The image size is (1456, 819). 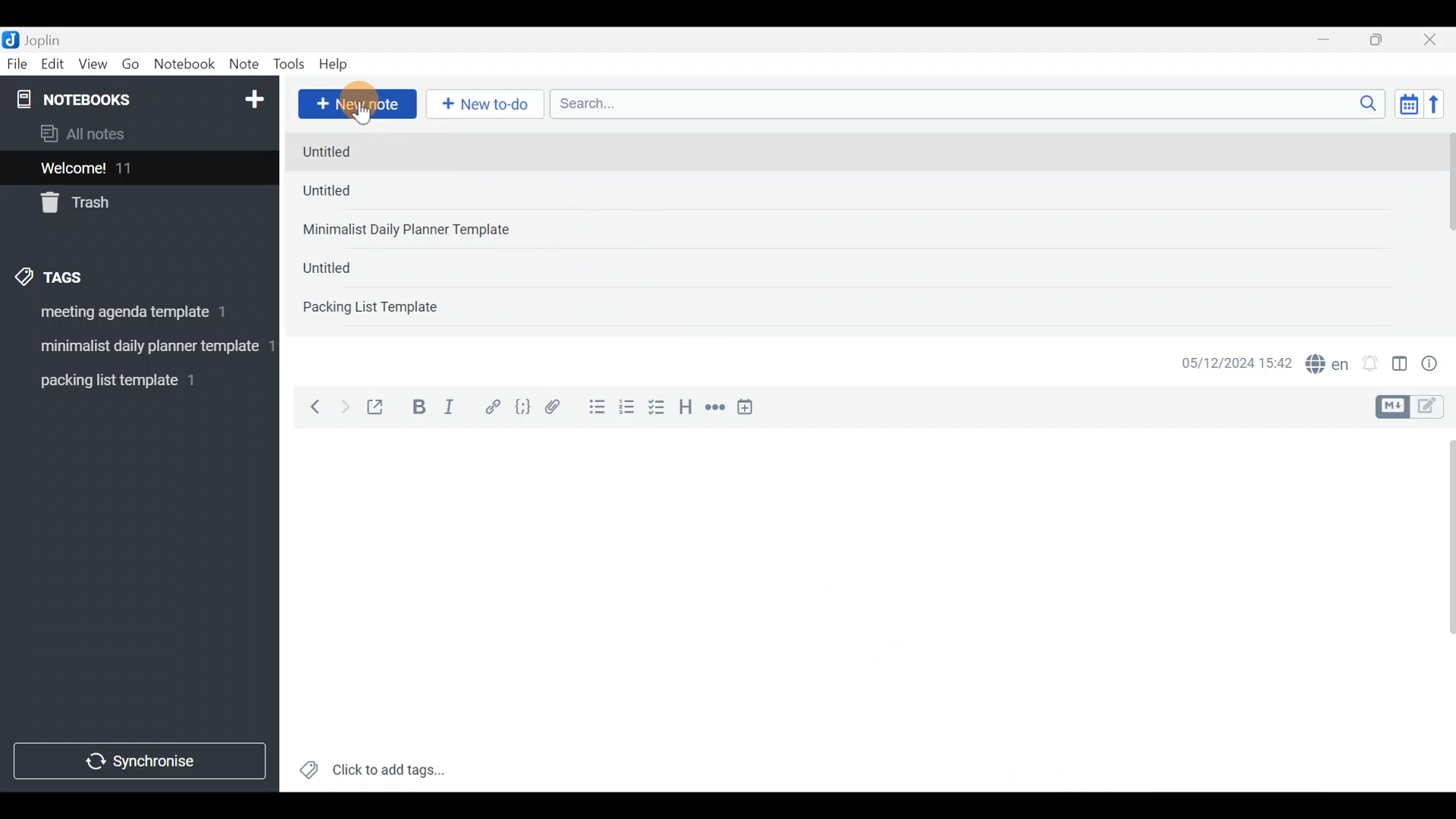 I want to click on Toggle external editing, so click(x=381, y=408).